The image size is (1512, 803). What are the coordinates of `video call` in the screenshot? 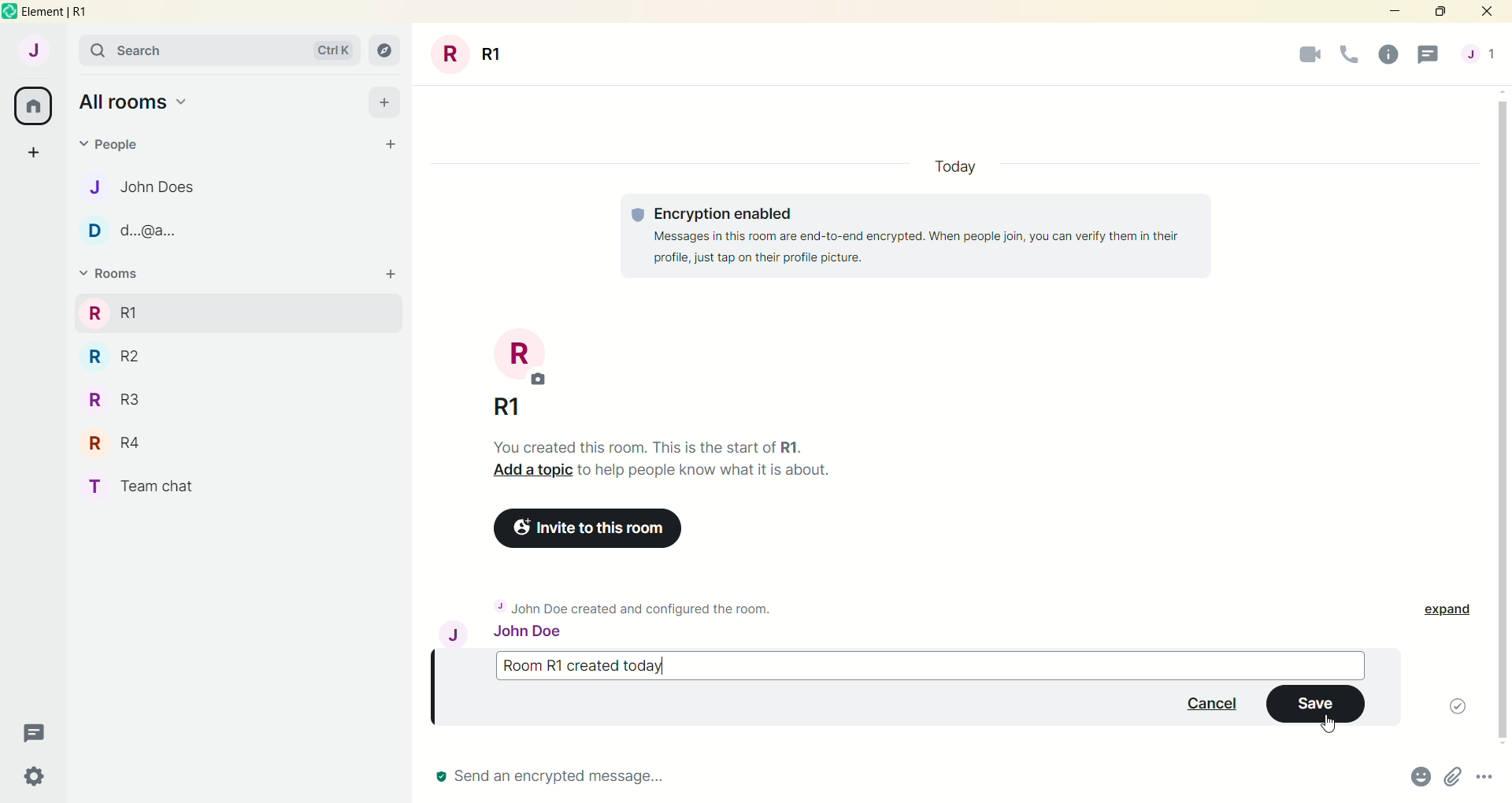 It's located at (1308, 56).